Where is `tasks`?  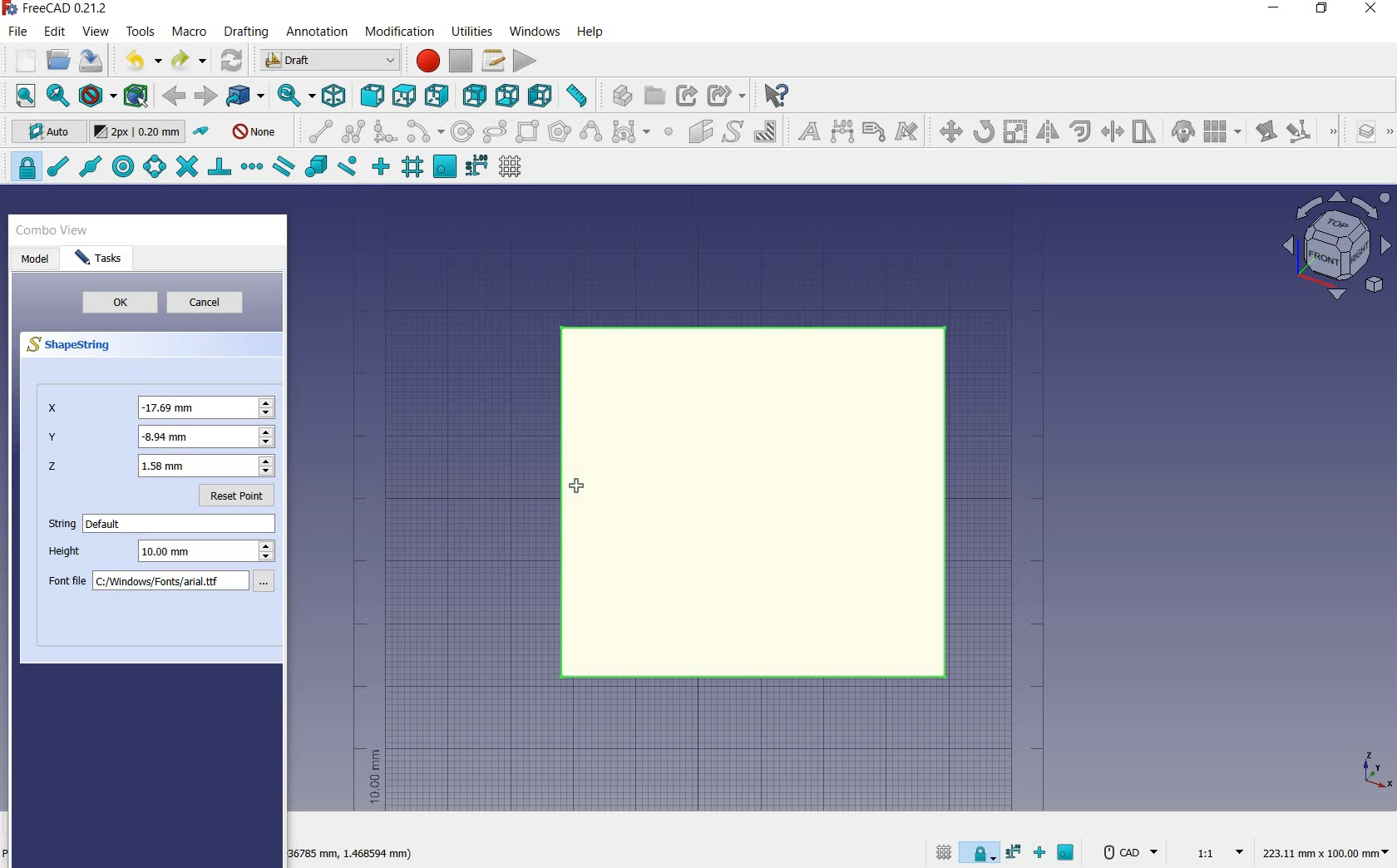 tasks is located at coordinates (105, 259).